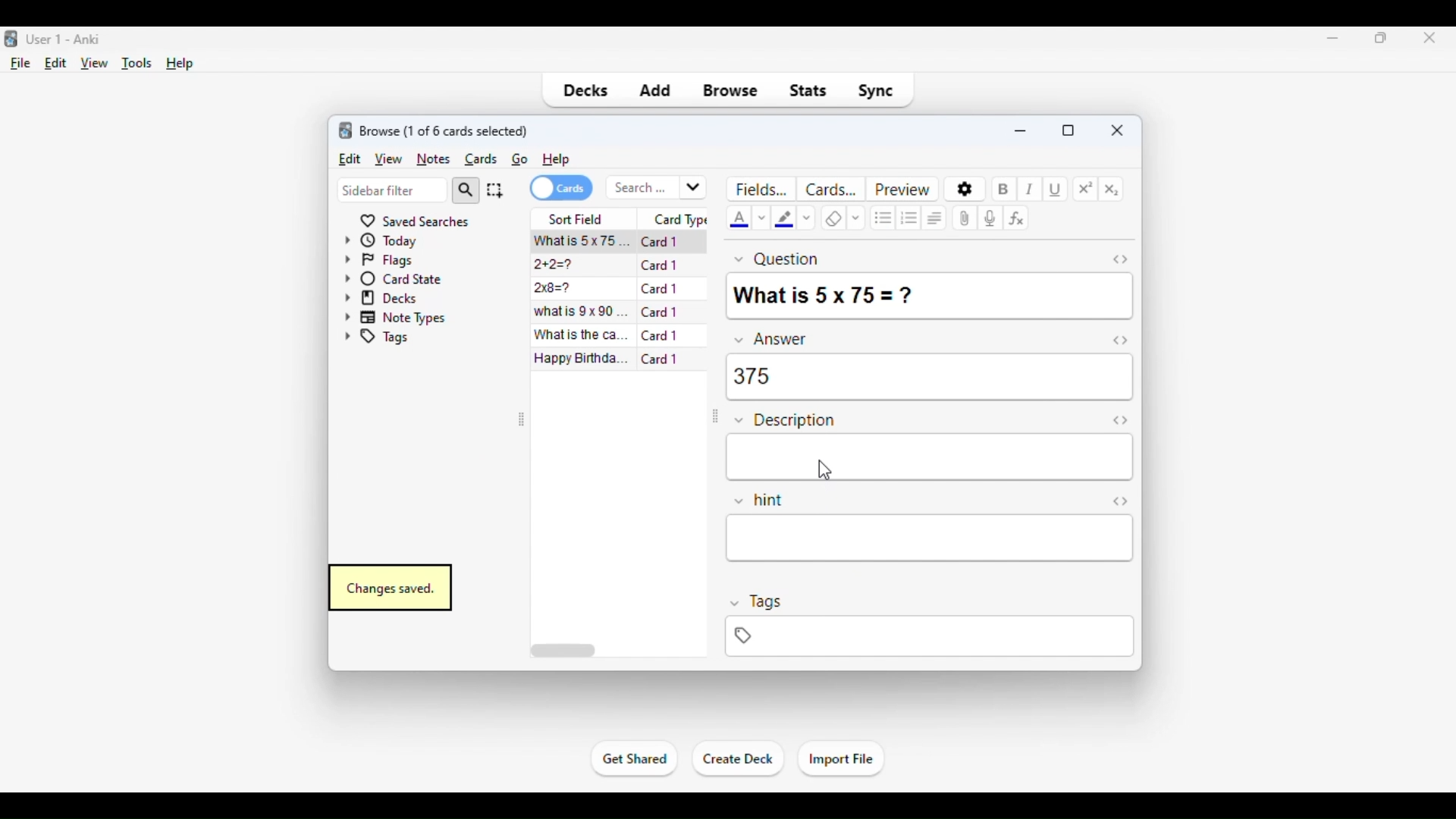  I want to click on 375, so click(756, 375).